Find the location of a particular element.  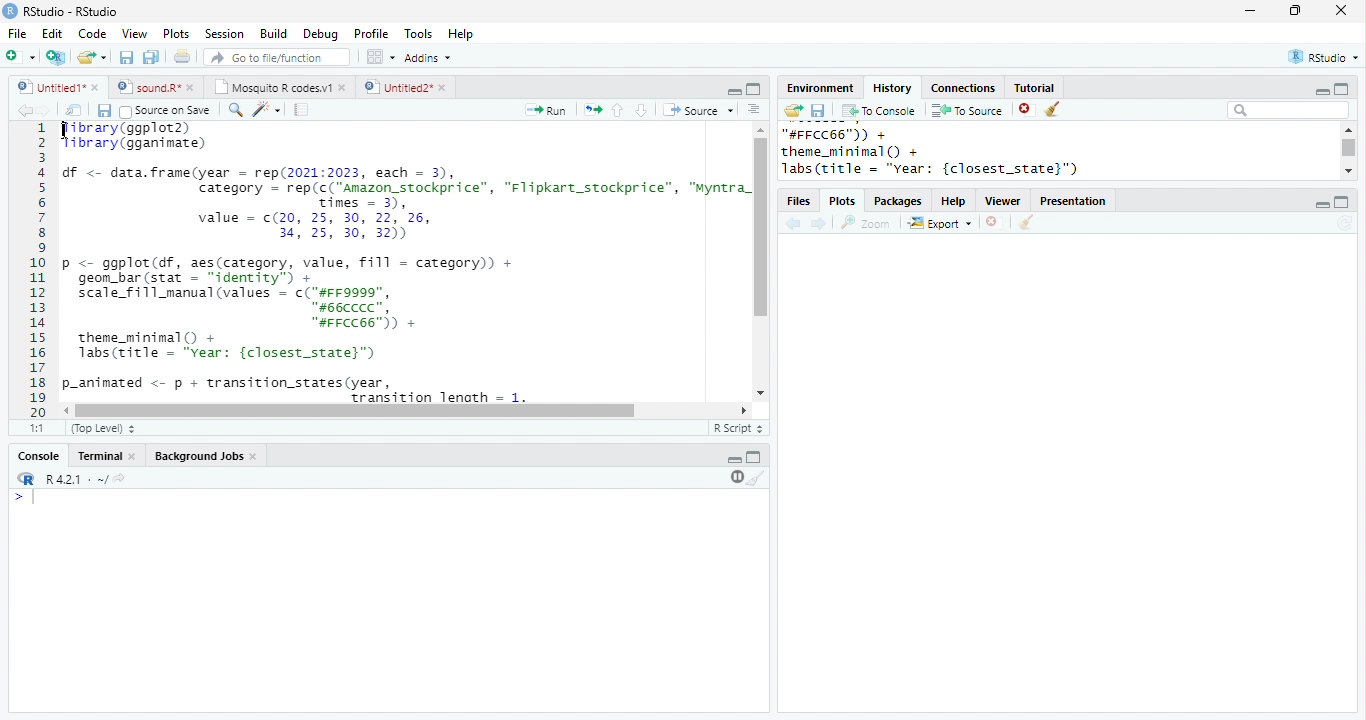

Addins is located at coordinates (428, 57).